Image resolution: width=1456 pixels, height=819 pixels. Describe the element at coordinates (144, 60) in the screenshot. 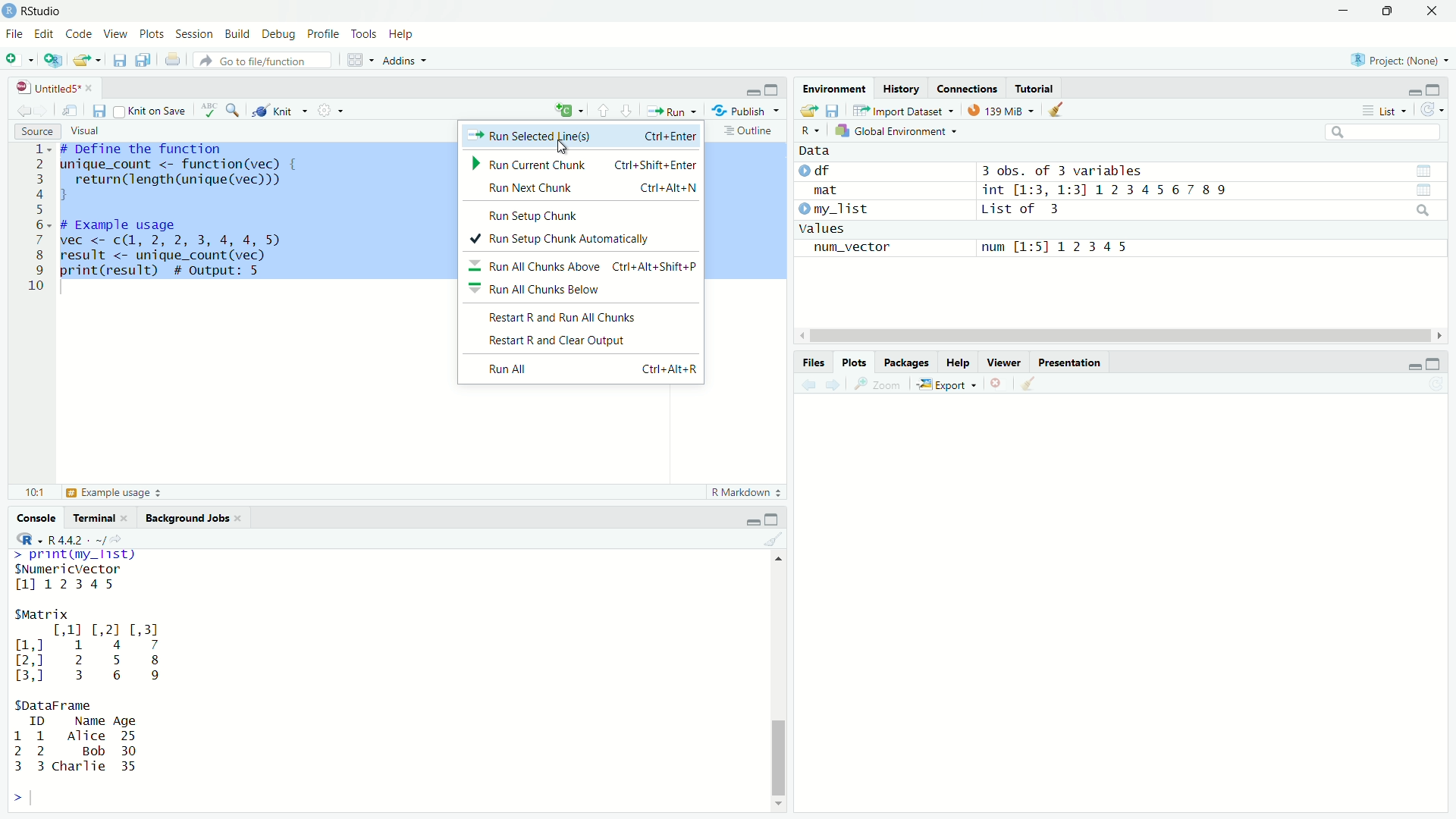

I see `save all` at that location.